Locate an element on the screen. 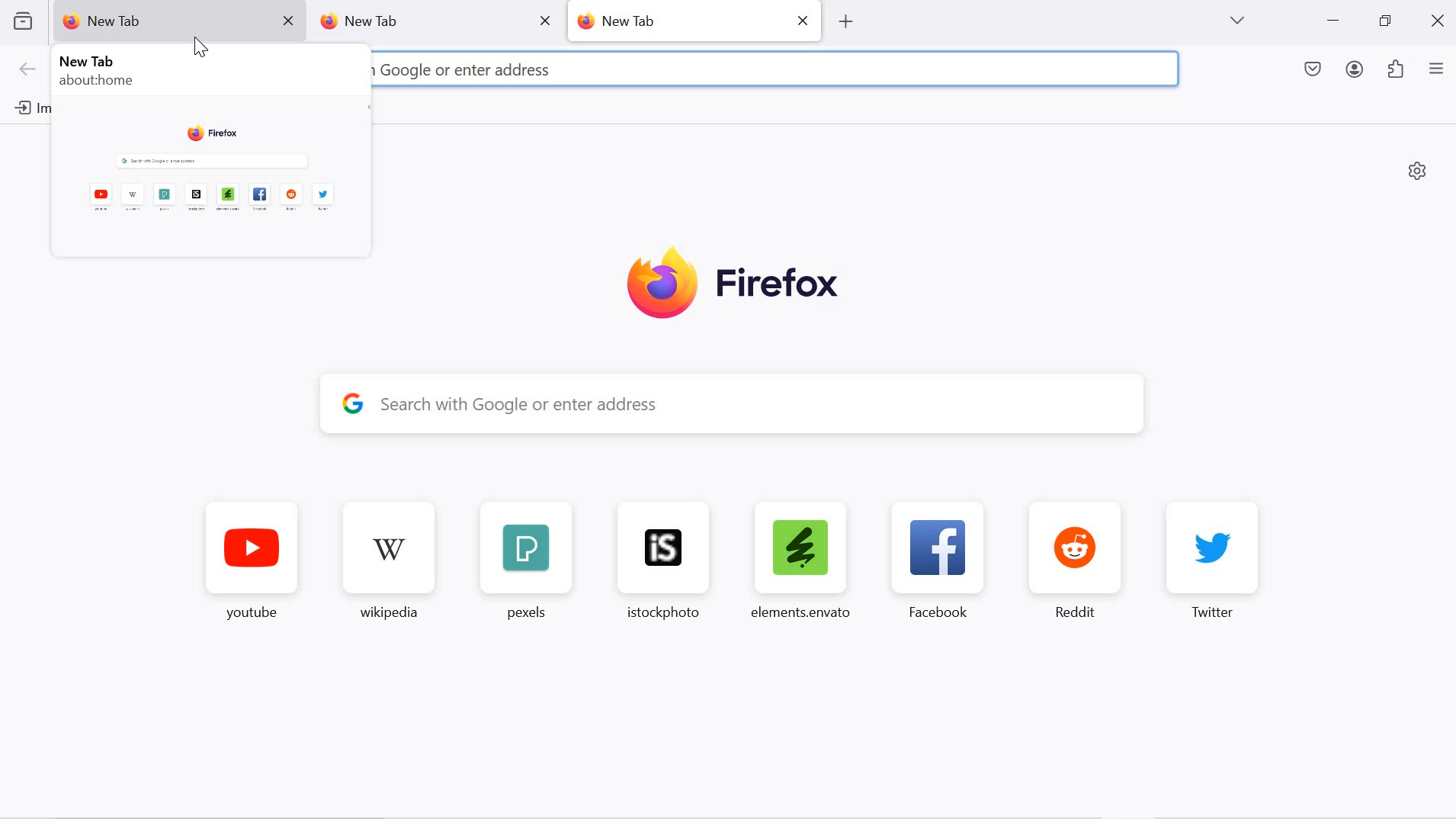  cursor is located at coordinates (201, 47).